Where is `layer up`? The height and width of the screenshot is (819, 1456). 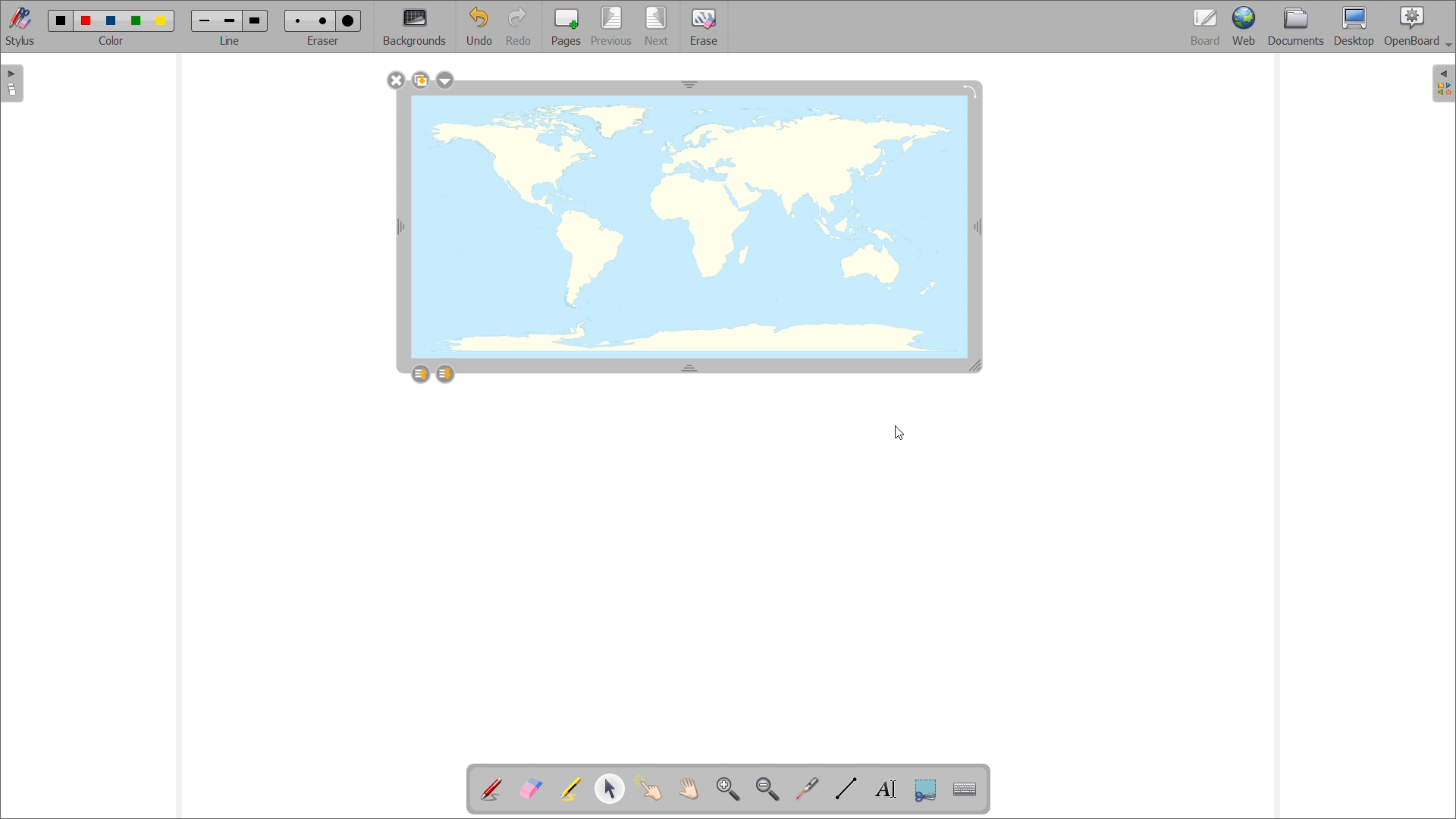 layer up is located at coordinates (421, 373).